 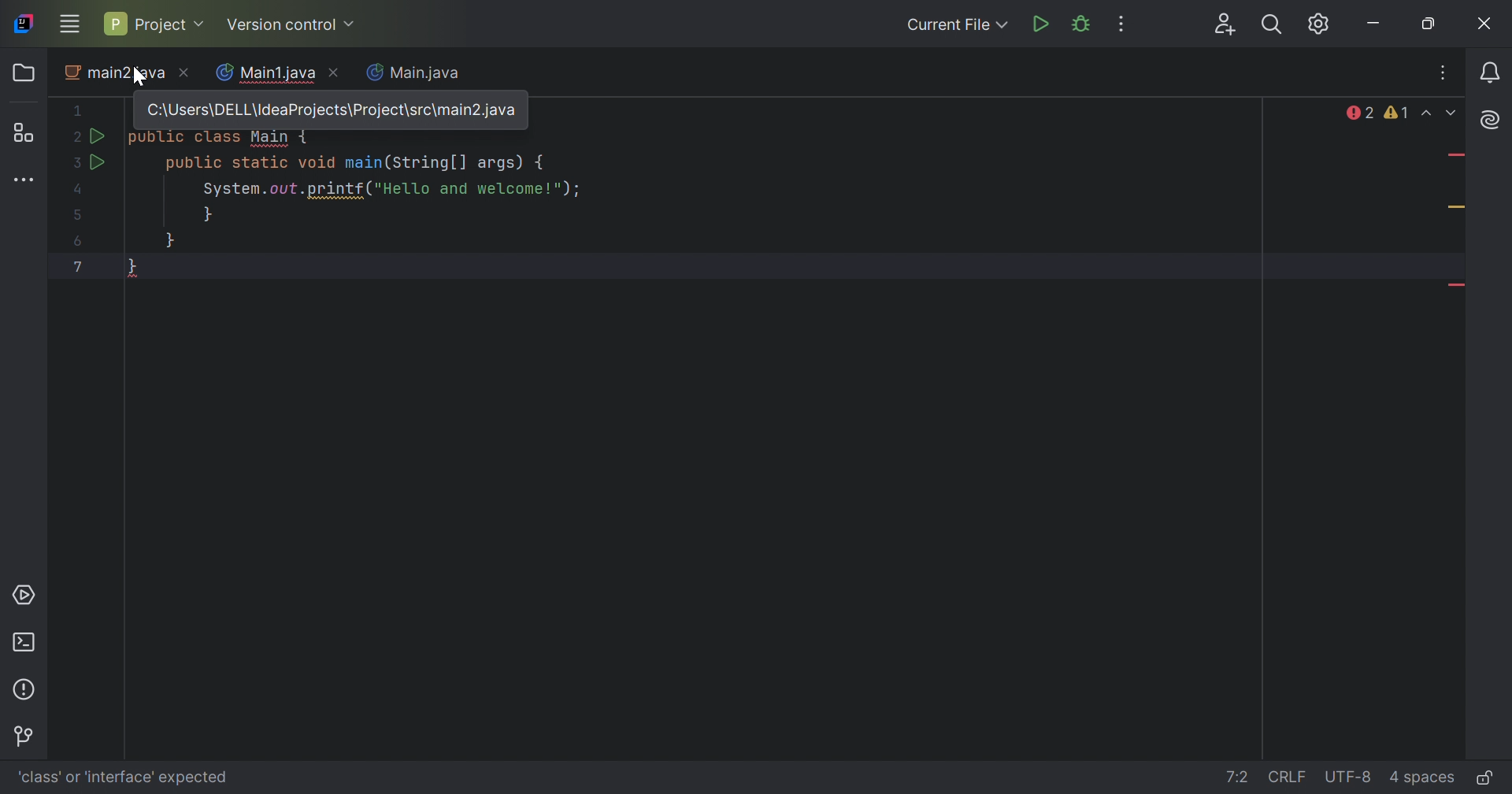 What do you see at coordinates (265, 72) in the screenshot?
I see `Main1.java` at bounding box center [265, 72].